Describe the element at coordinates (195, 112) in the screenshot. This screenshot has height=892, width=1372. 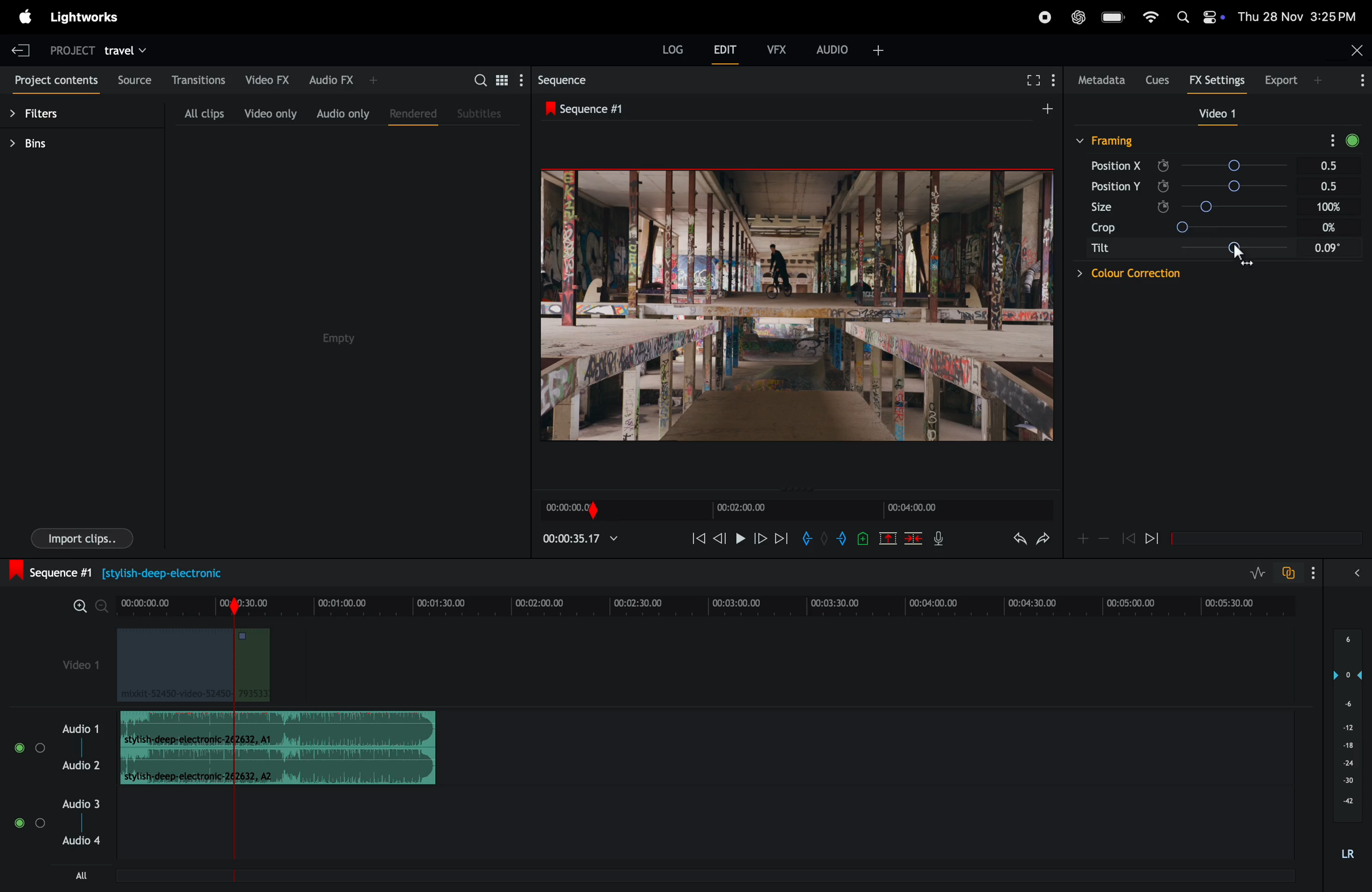
I see `all clips` at that location.